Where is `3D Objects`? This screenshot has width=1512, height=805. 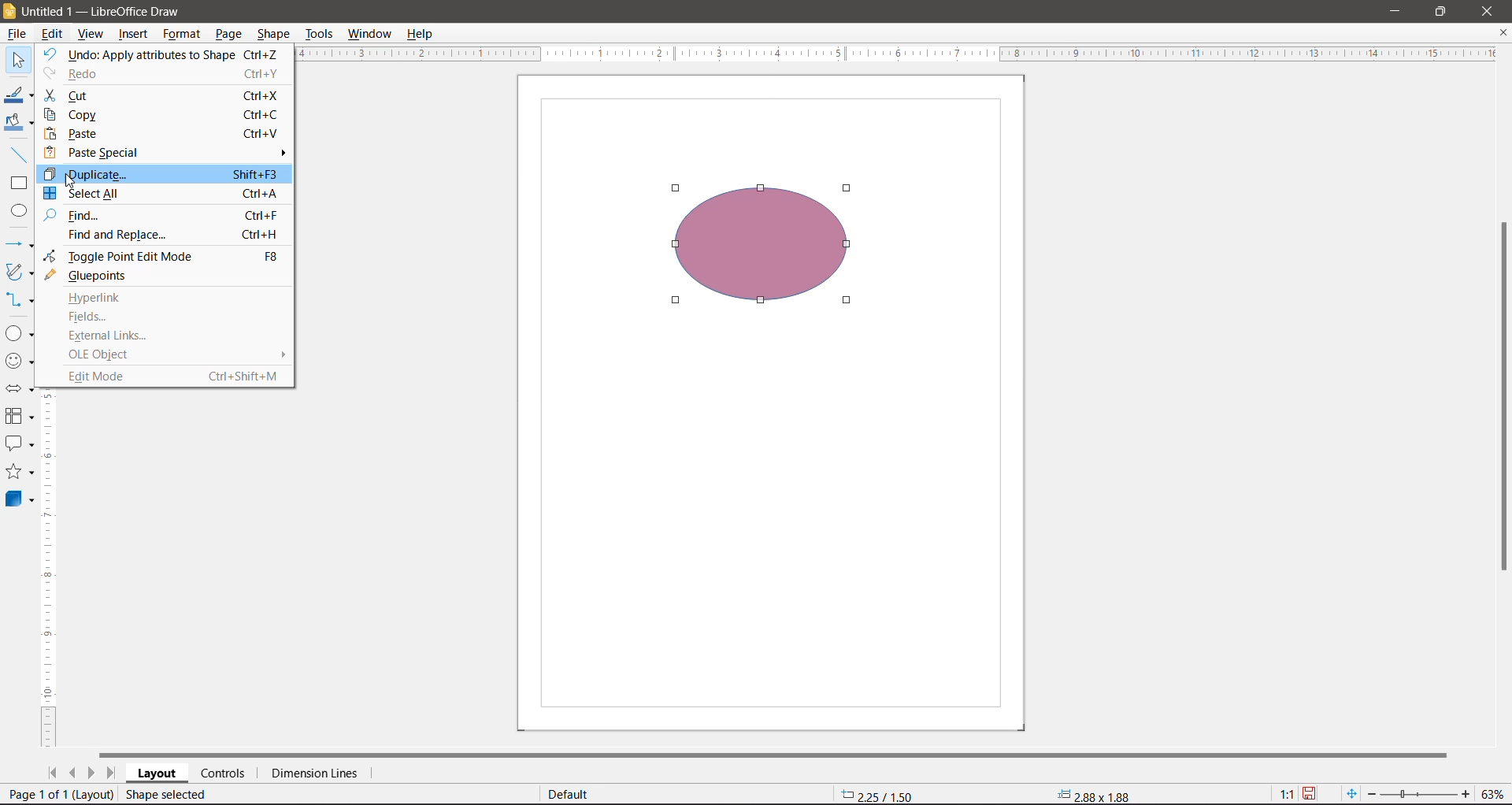 3D Objects is located at coordinates (20, 500).